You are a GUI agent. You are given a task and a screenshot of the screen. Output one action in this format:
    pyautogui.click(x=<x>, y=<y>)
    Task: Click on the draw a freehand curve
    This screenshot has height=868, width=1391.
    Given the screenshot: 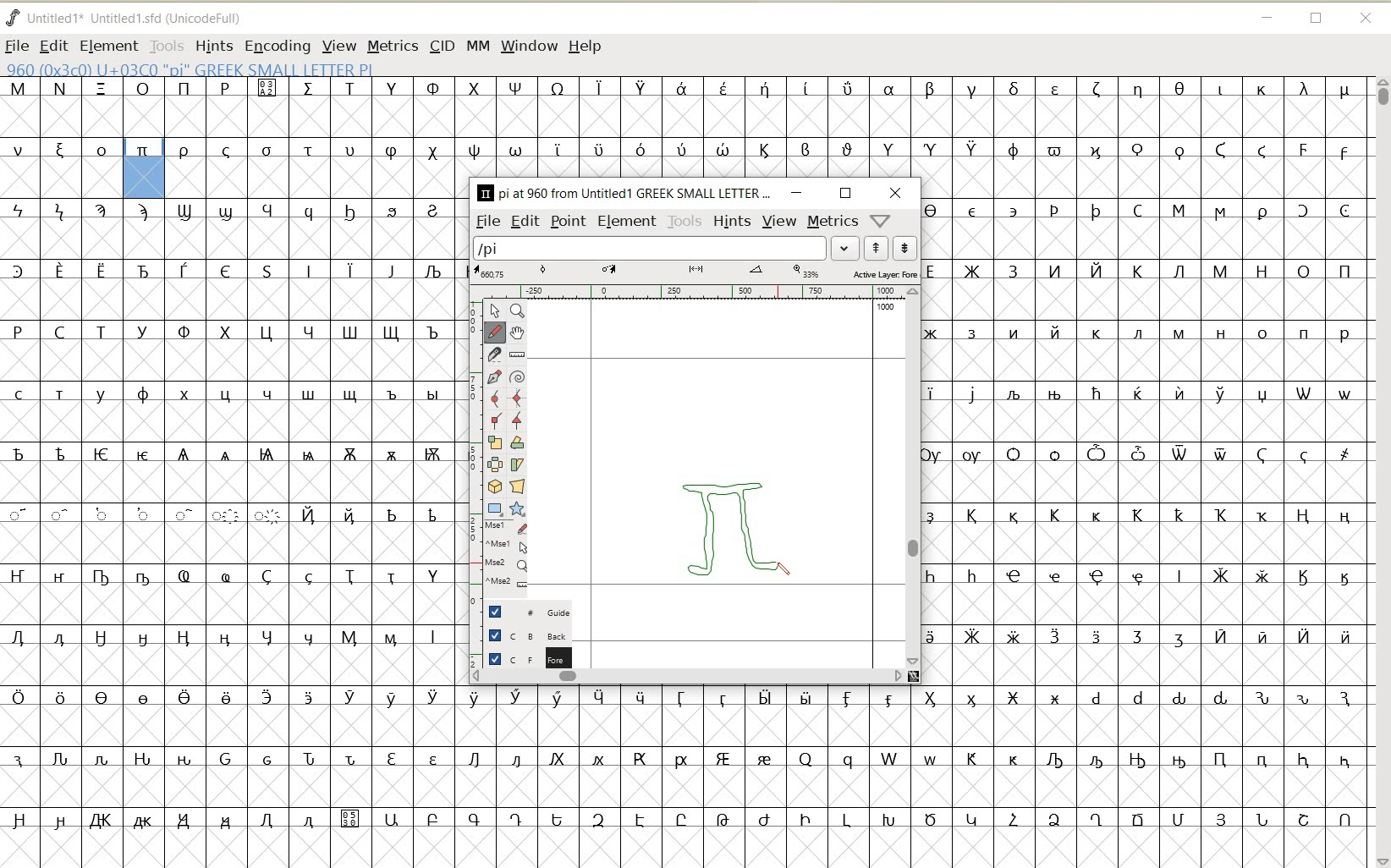 What is the action you would take?
    pyautogui.click(x=492, y=331)
    